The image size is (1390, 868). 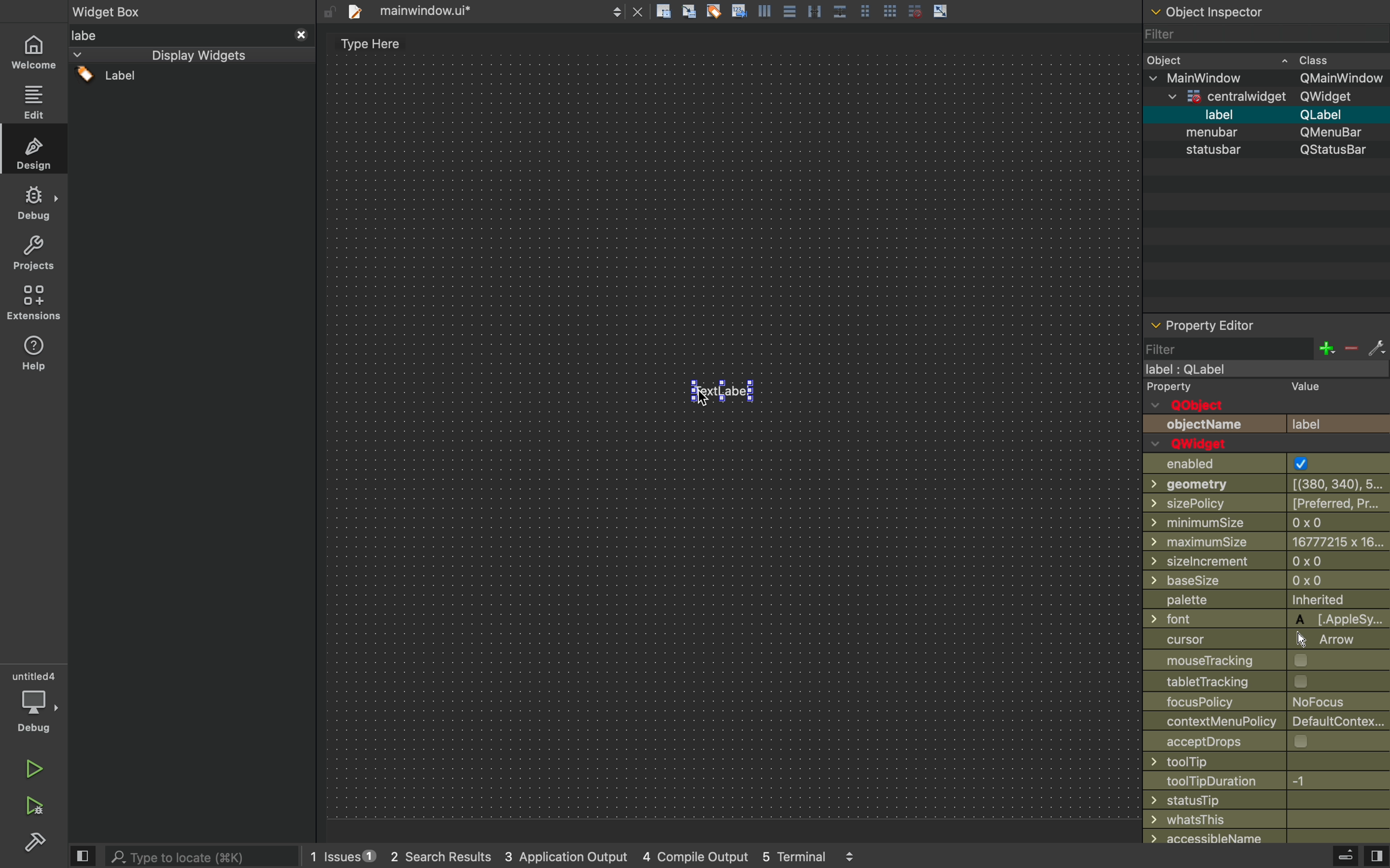 I want to click on arrow, so click(x=942, y=10).